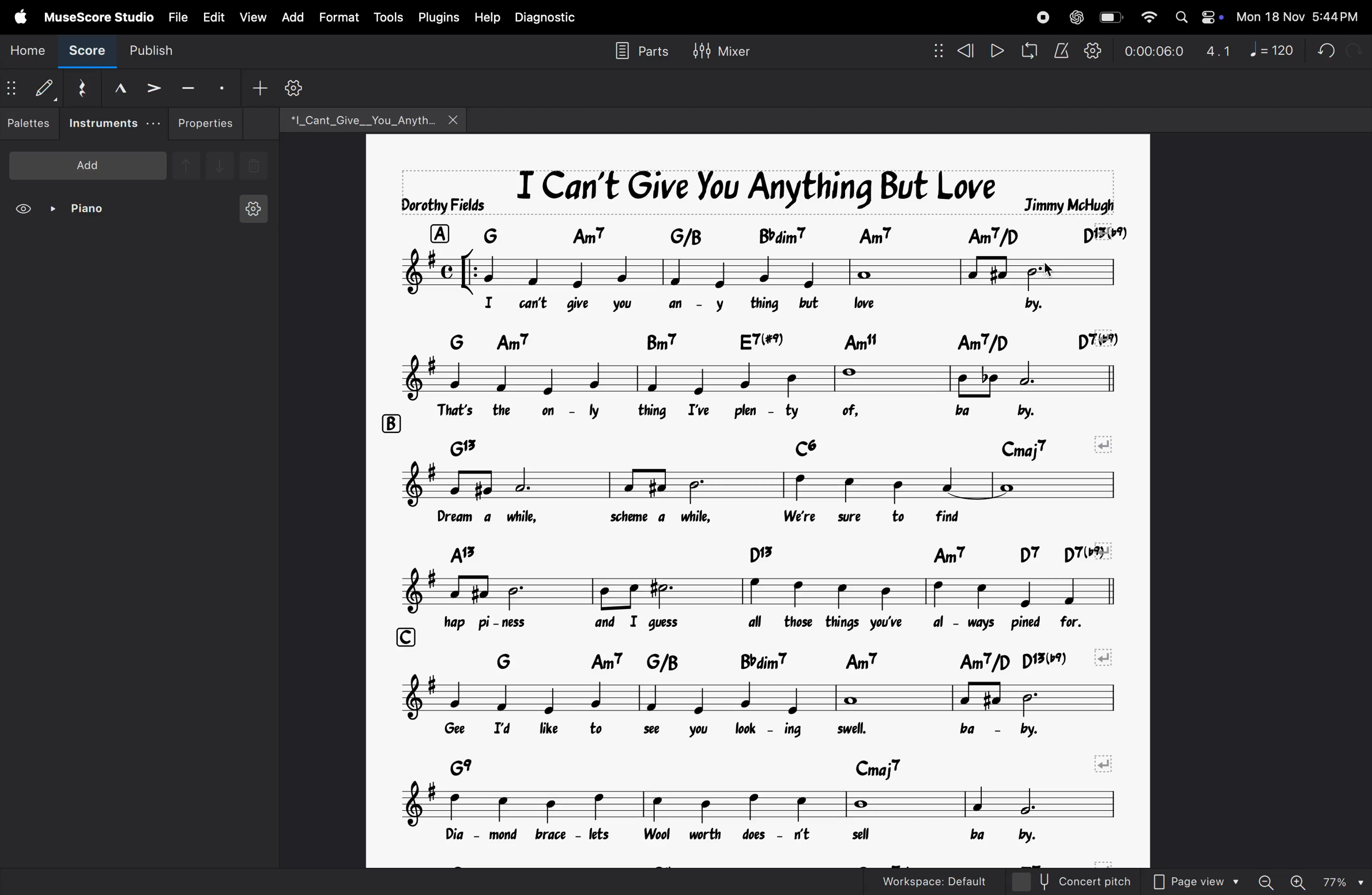  What do you see at coordinates (32, 124) in the screenshot?
I see `palettes` at bounding box center [32, 124].